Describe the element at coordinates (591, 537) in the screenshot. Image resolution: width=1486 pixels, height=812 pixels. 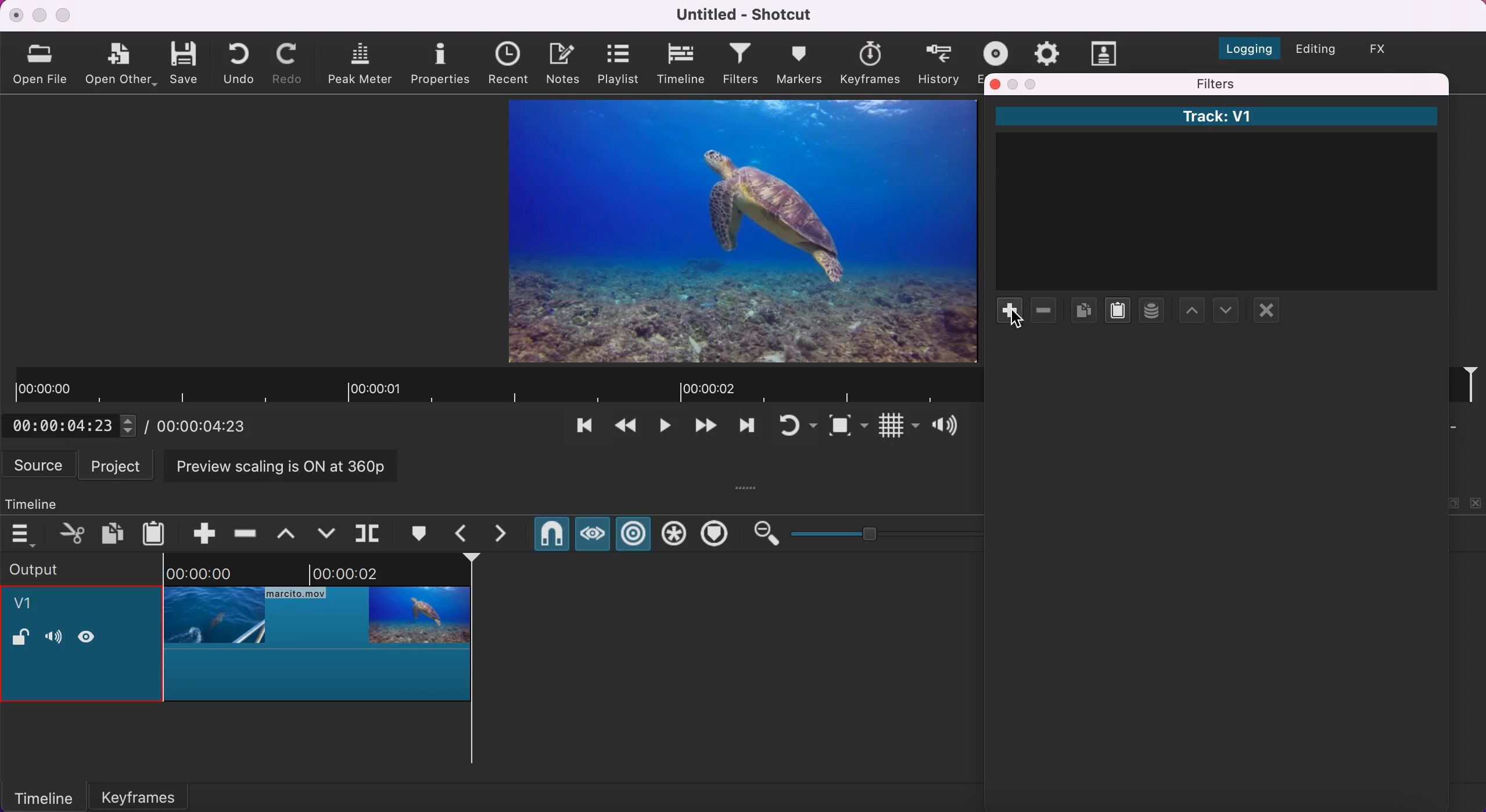
I see `scrub while draggins` at that location.